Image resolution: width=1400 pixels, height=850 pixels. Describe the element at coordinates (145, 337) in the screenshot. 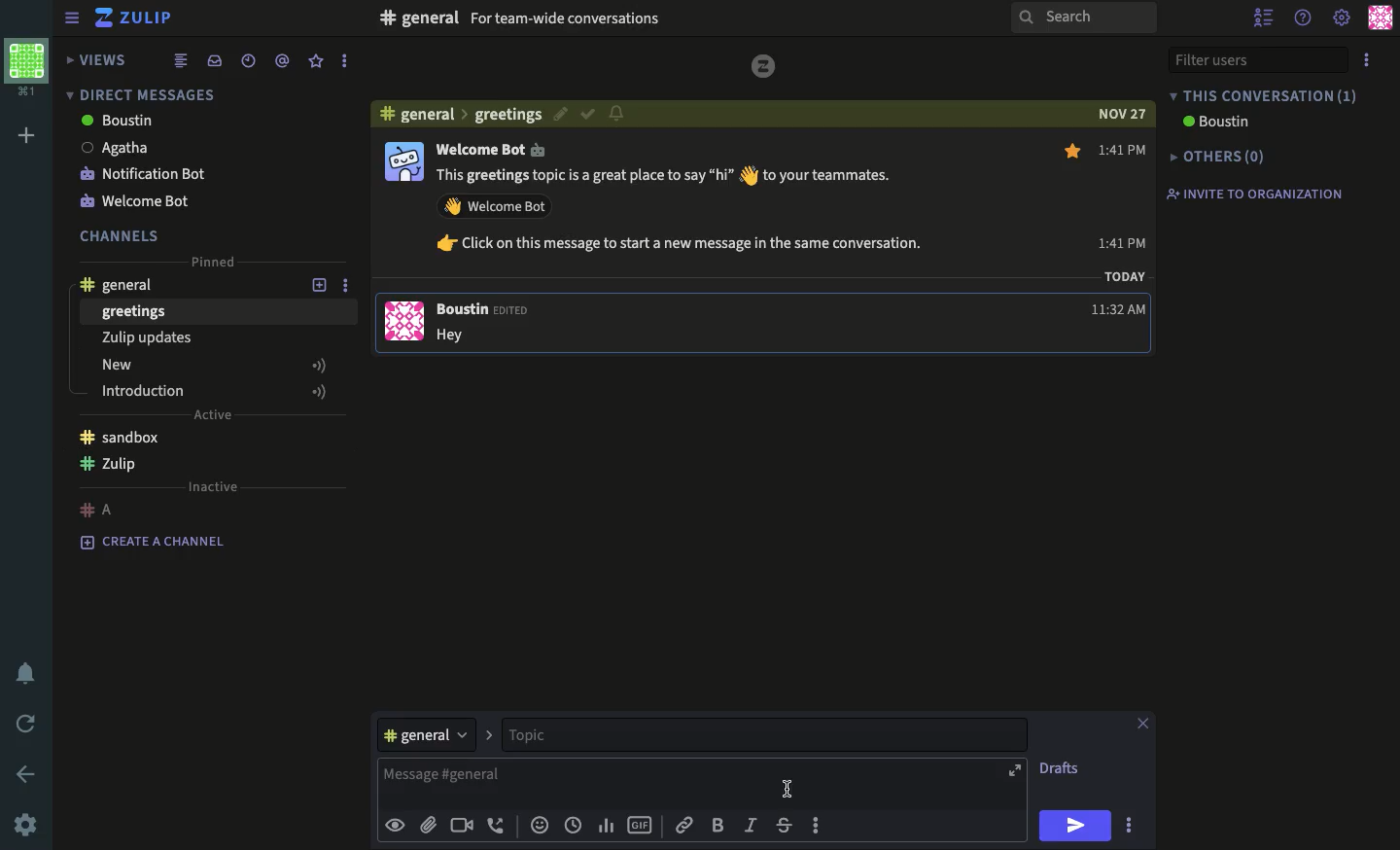

I see `Zulip updates` at that location.